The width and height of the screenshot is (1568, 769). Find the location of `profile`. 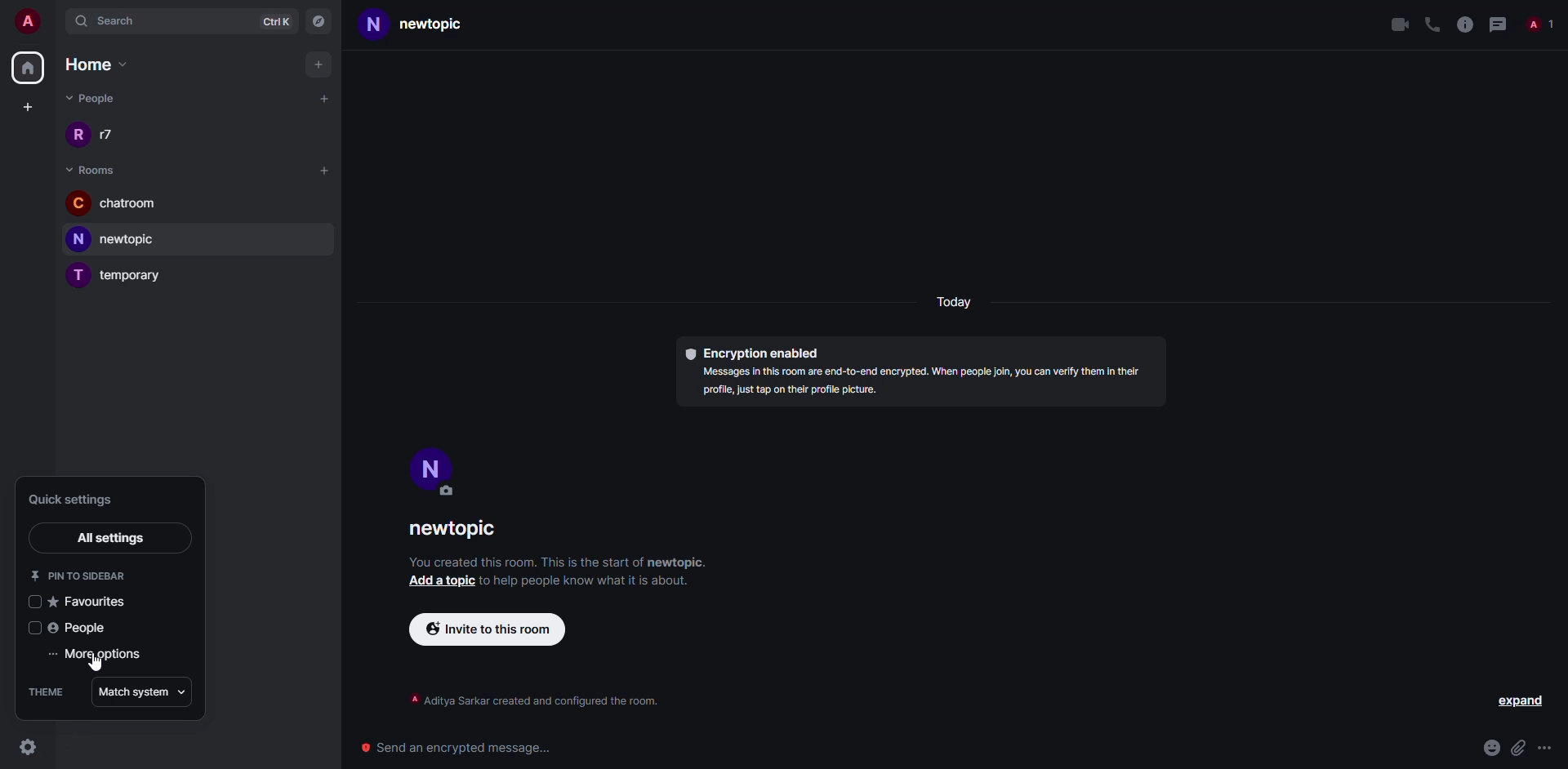

profile is located at coordinates (431, 471).